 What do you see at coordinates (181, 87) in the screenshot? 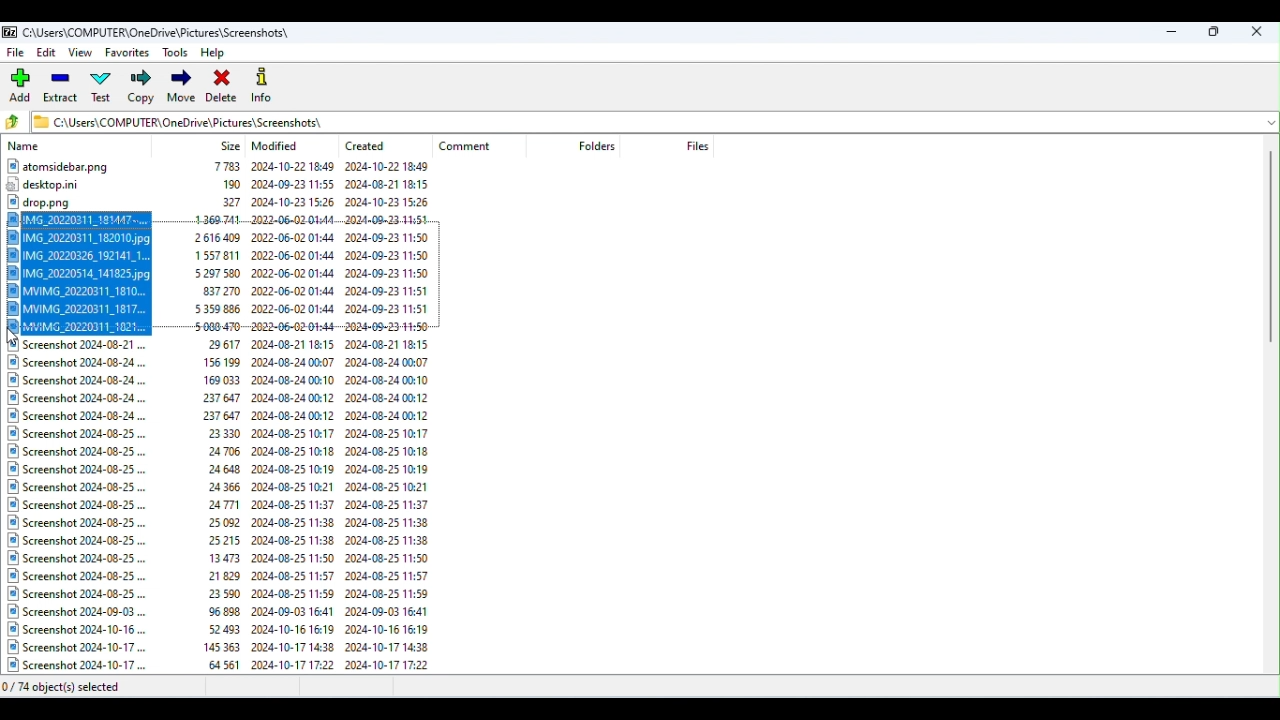
I see `Move` at bounding box center [181, 87].